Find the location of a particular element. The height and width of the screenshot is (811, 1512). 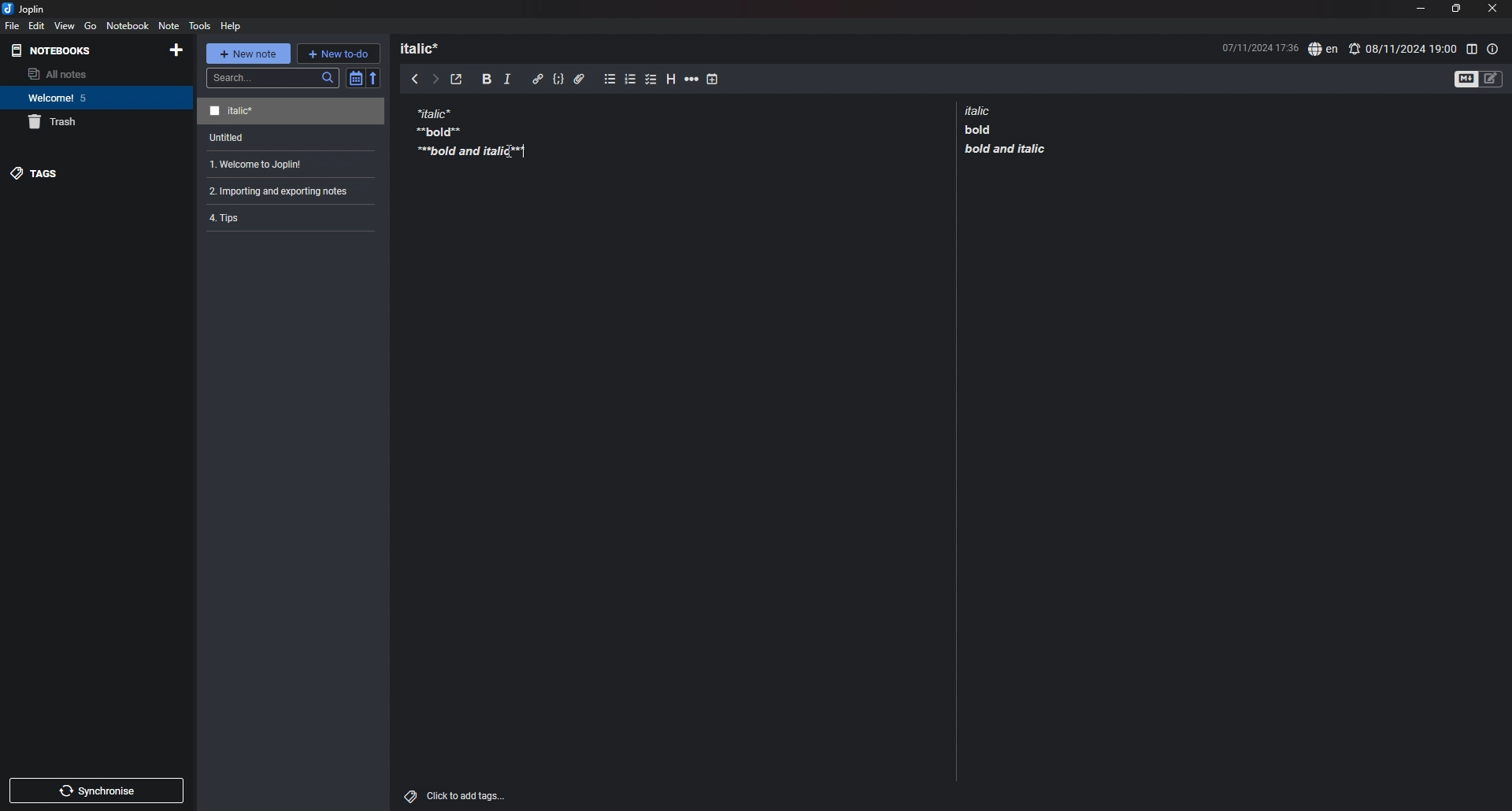

view is located at coordinates (65, 25).